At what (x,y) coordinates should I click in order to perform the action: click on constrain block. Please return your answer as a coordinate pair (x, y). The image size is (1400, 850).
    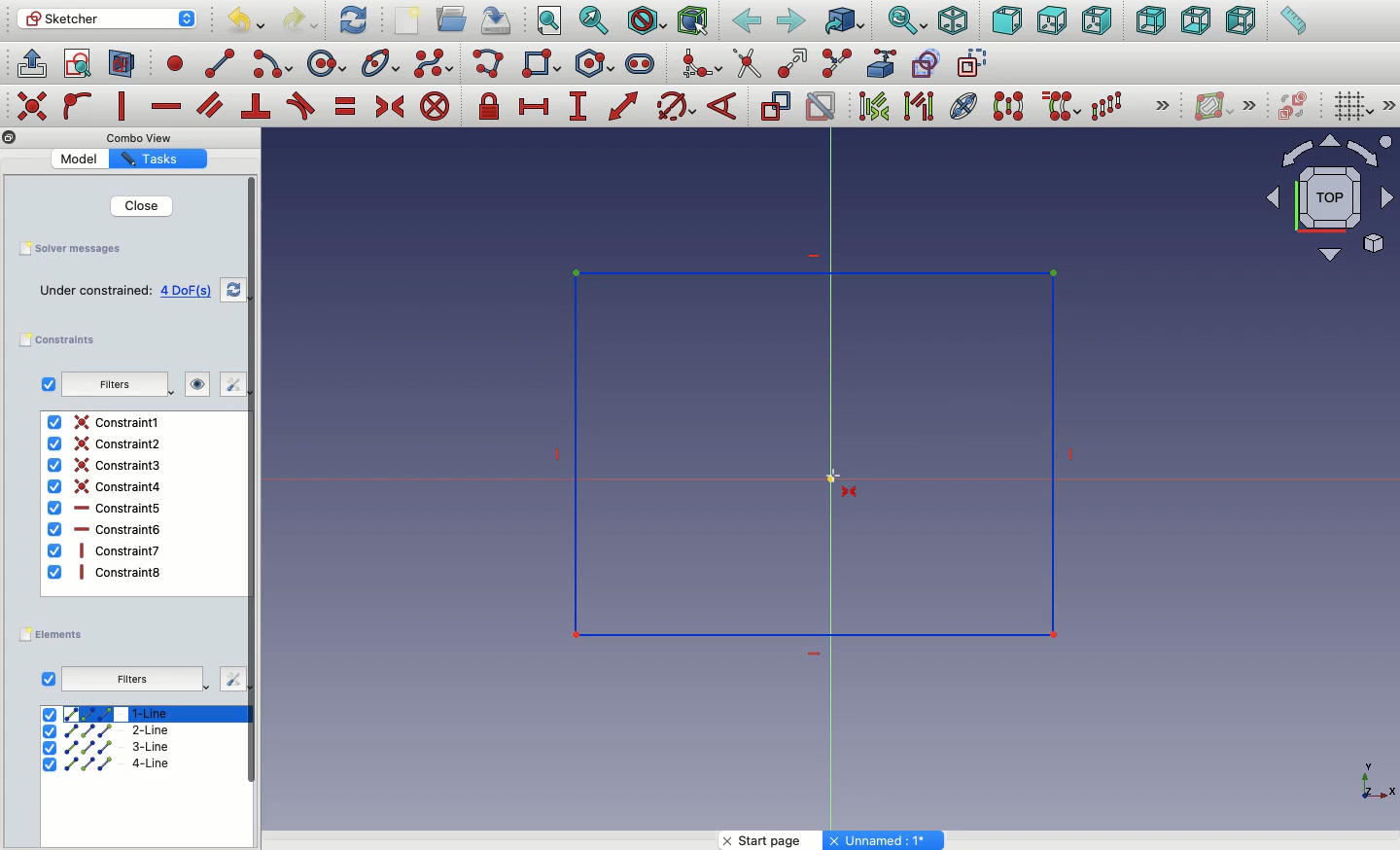
    Looking at the image, I should click on (434, 106).